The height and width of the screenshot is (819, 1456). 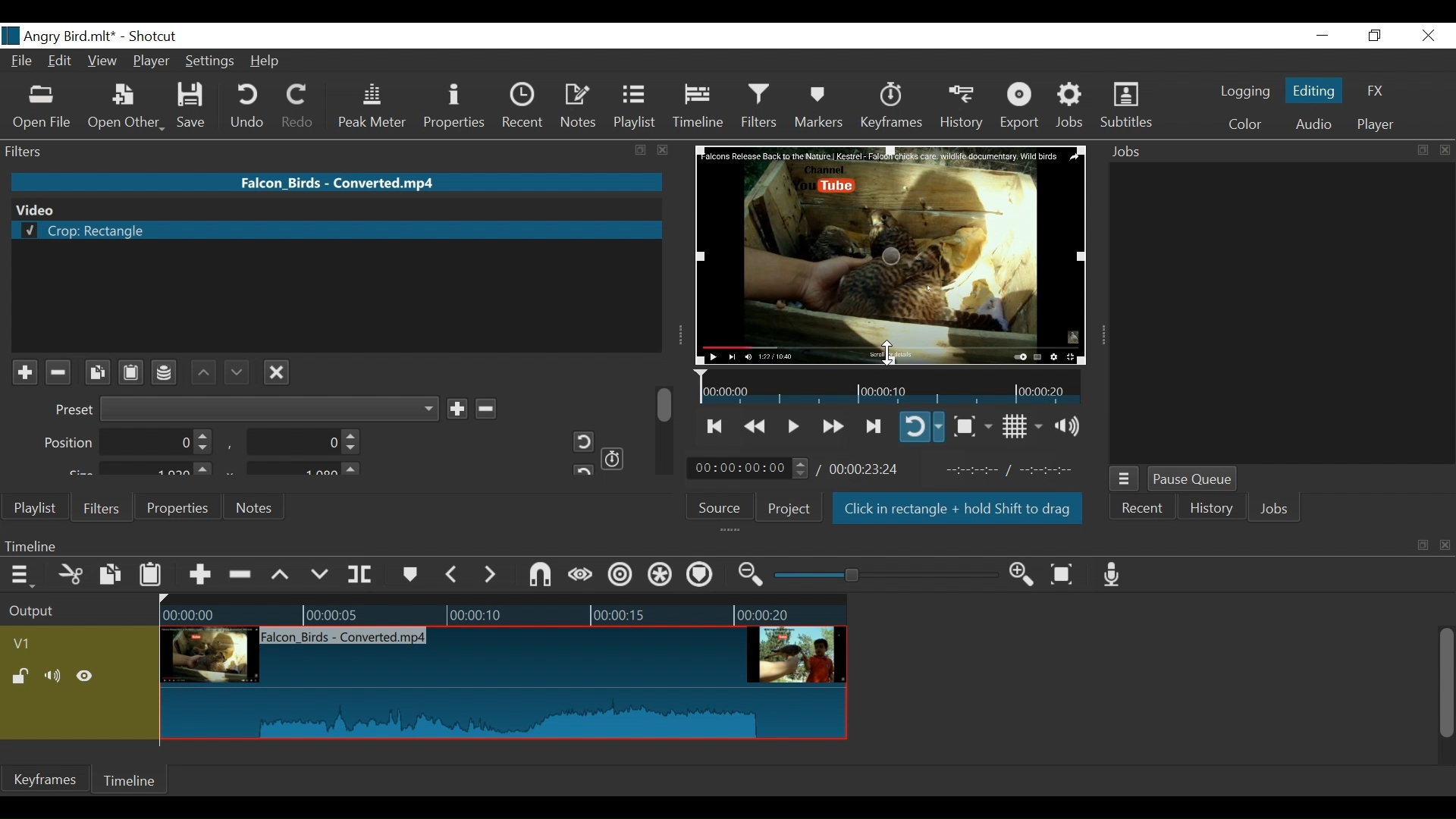 I want to click on Timeline, so click(x=503, y=611).